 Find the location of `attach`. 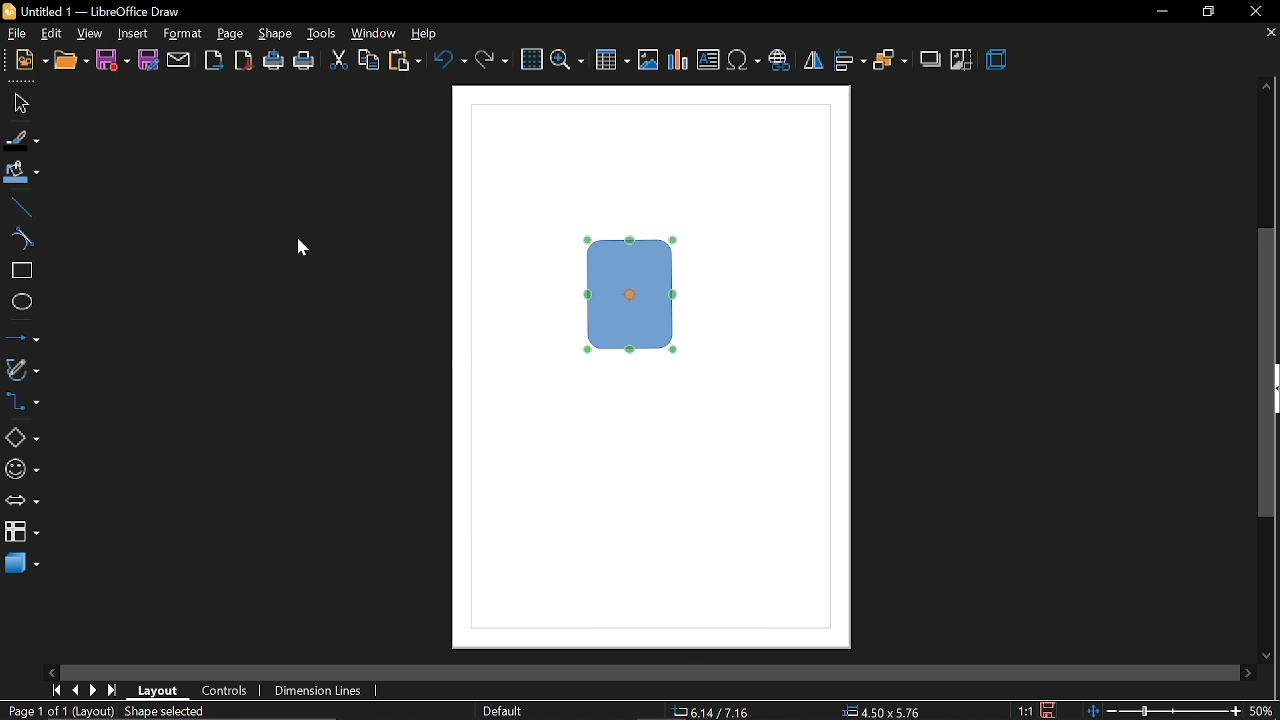

attach is located at coordinates (178, 59).